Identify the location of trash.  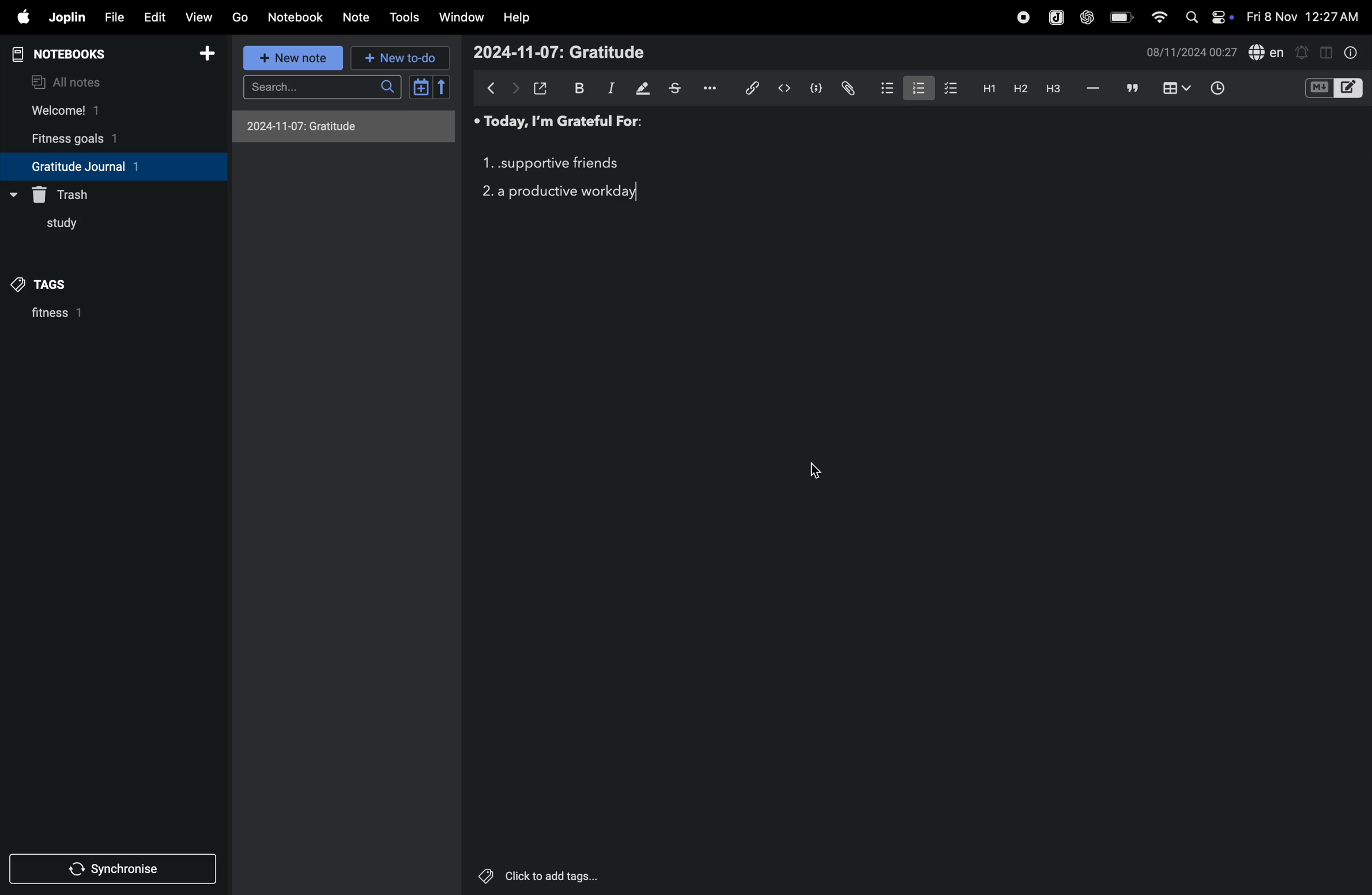
(68, 193).